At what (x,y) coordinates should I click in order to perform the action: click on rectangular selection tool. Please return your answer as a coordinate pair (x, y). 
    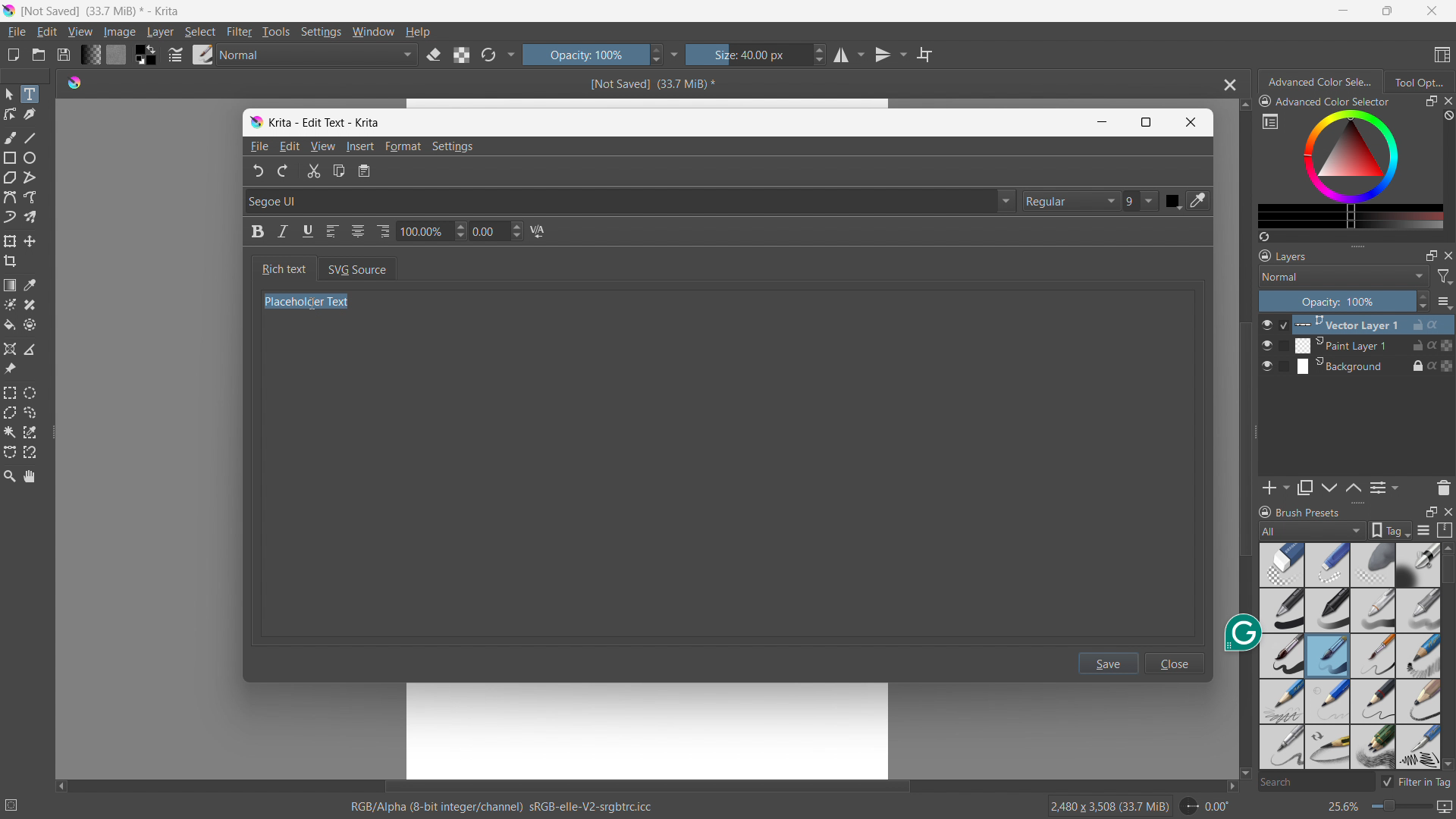
    Looking at the image, I should click on (10, 393).